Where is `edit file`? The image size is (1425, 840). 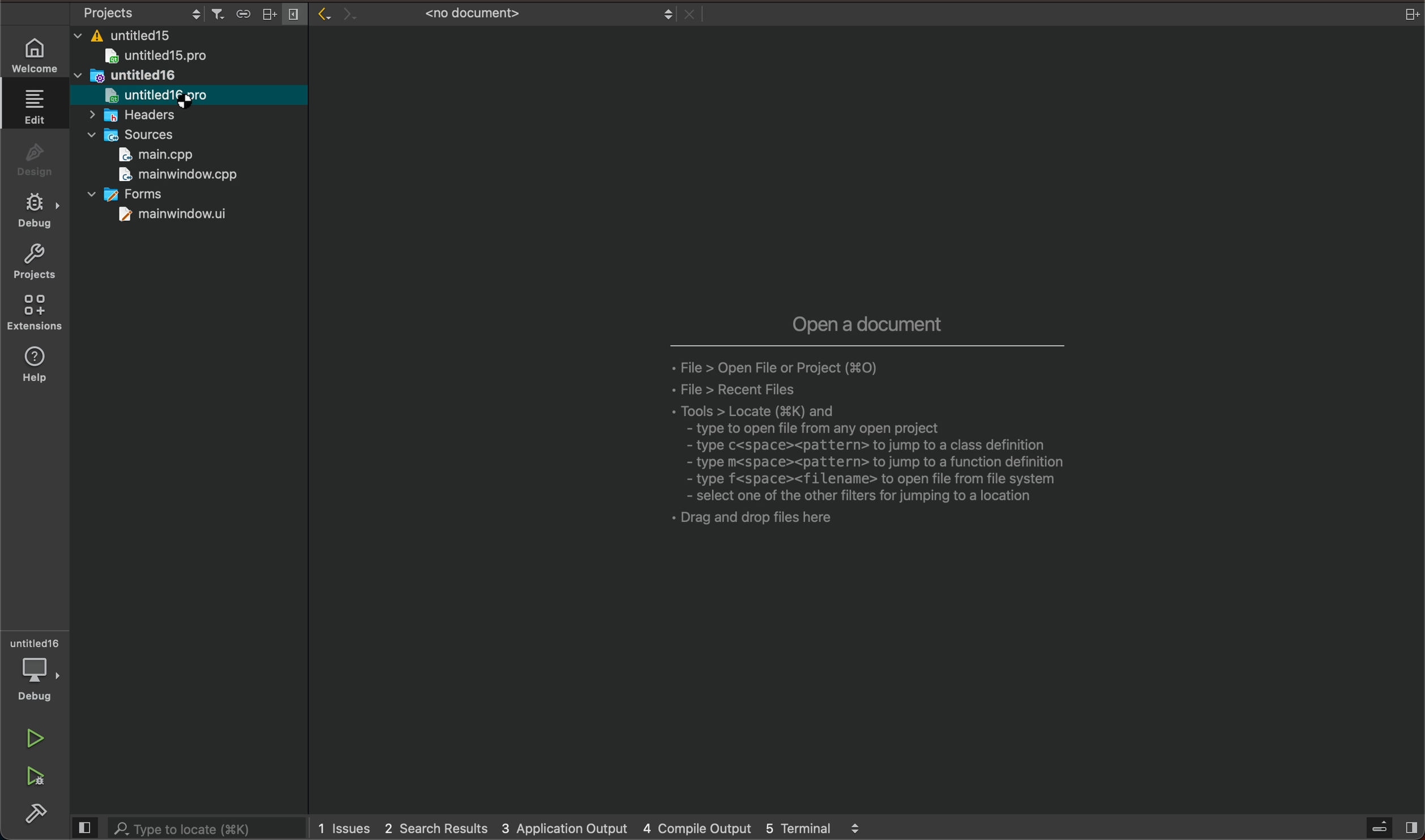 edit file is located at coordinates (36, 107).